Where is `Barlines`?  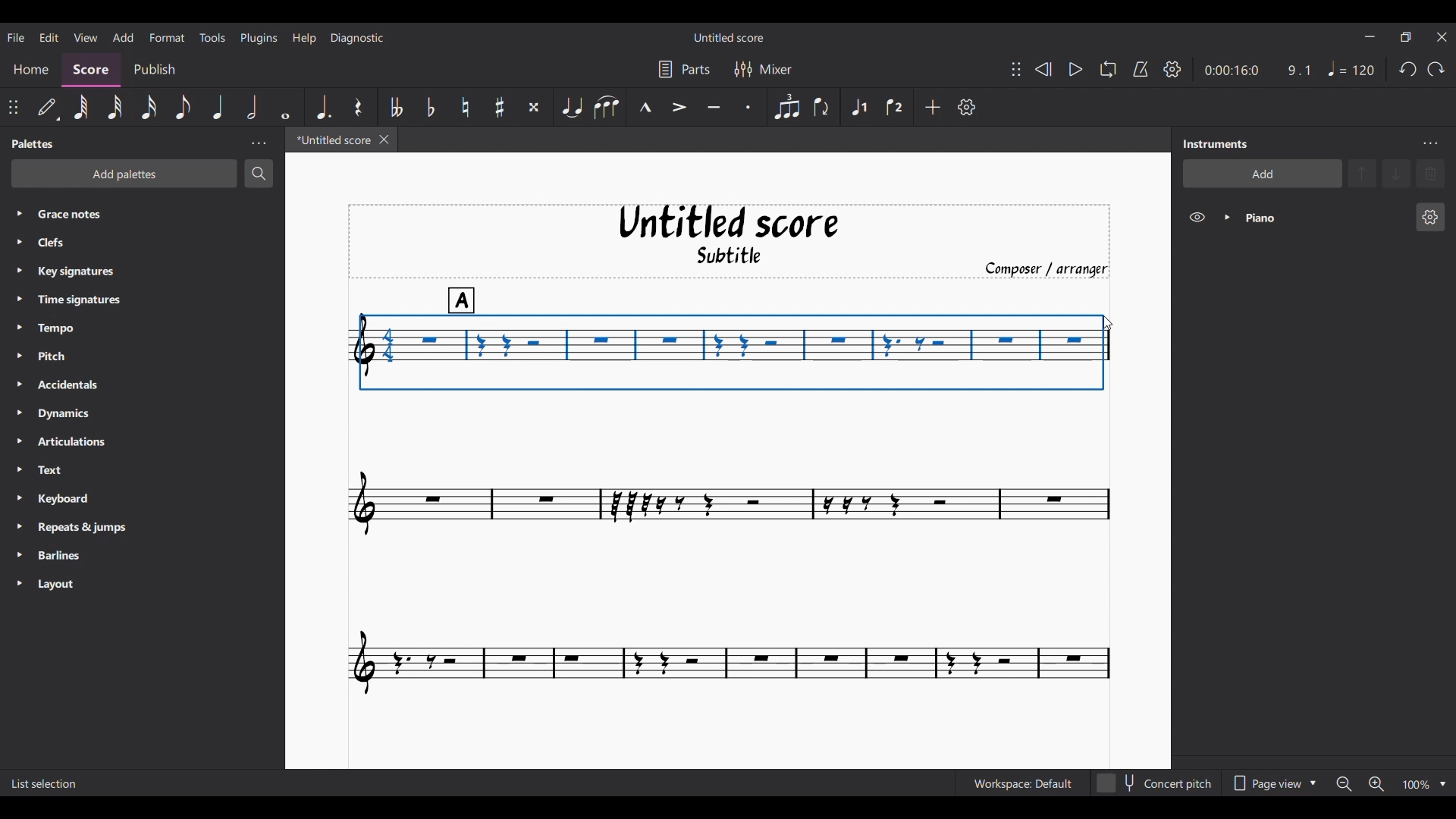
Barlines is located at coordinates (82, 557).